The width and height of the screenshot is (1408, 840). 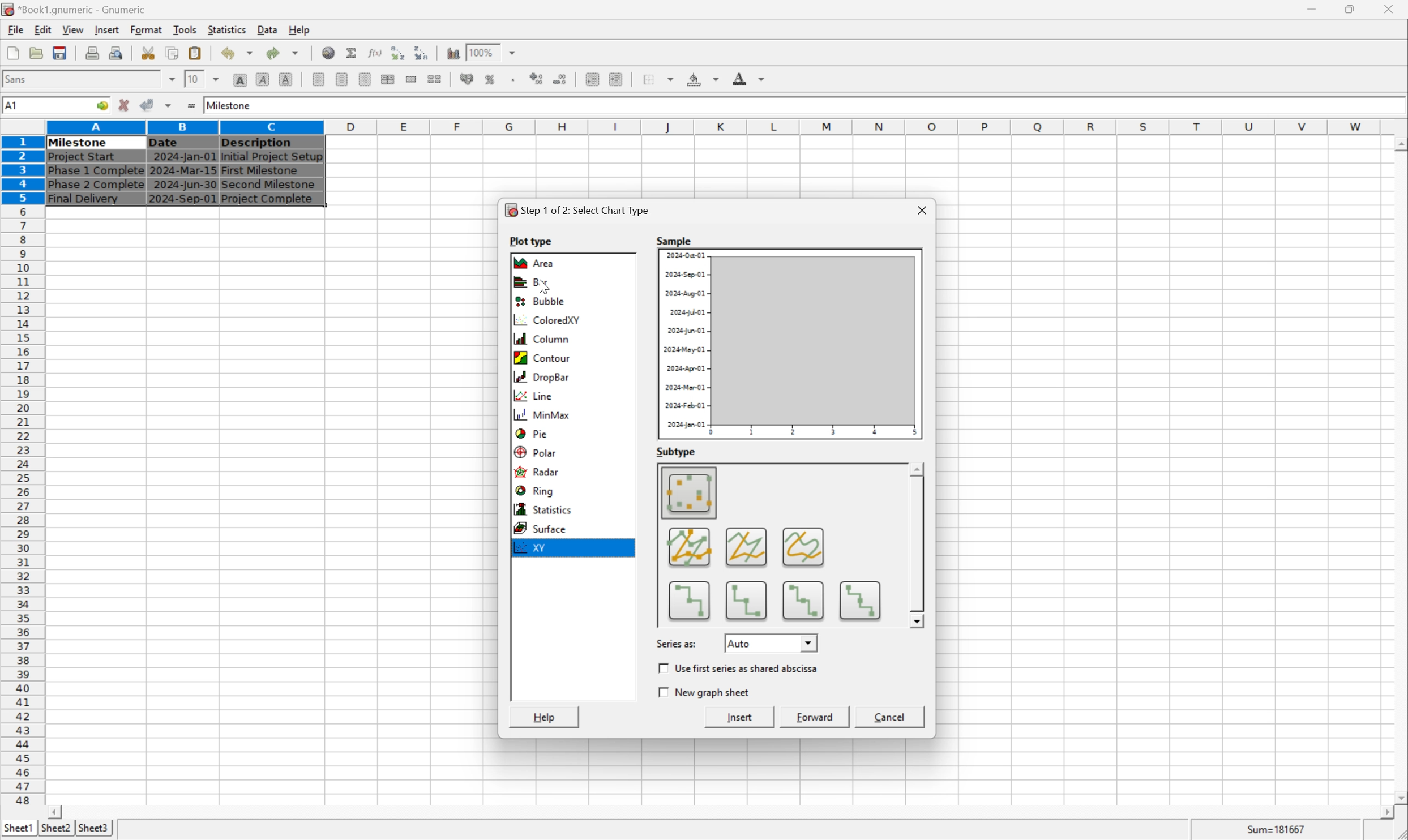 I want to click on series as:, so click(x=677, y=642).